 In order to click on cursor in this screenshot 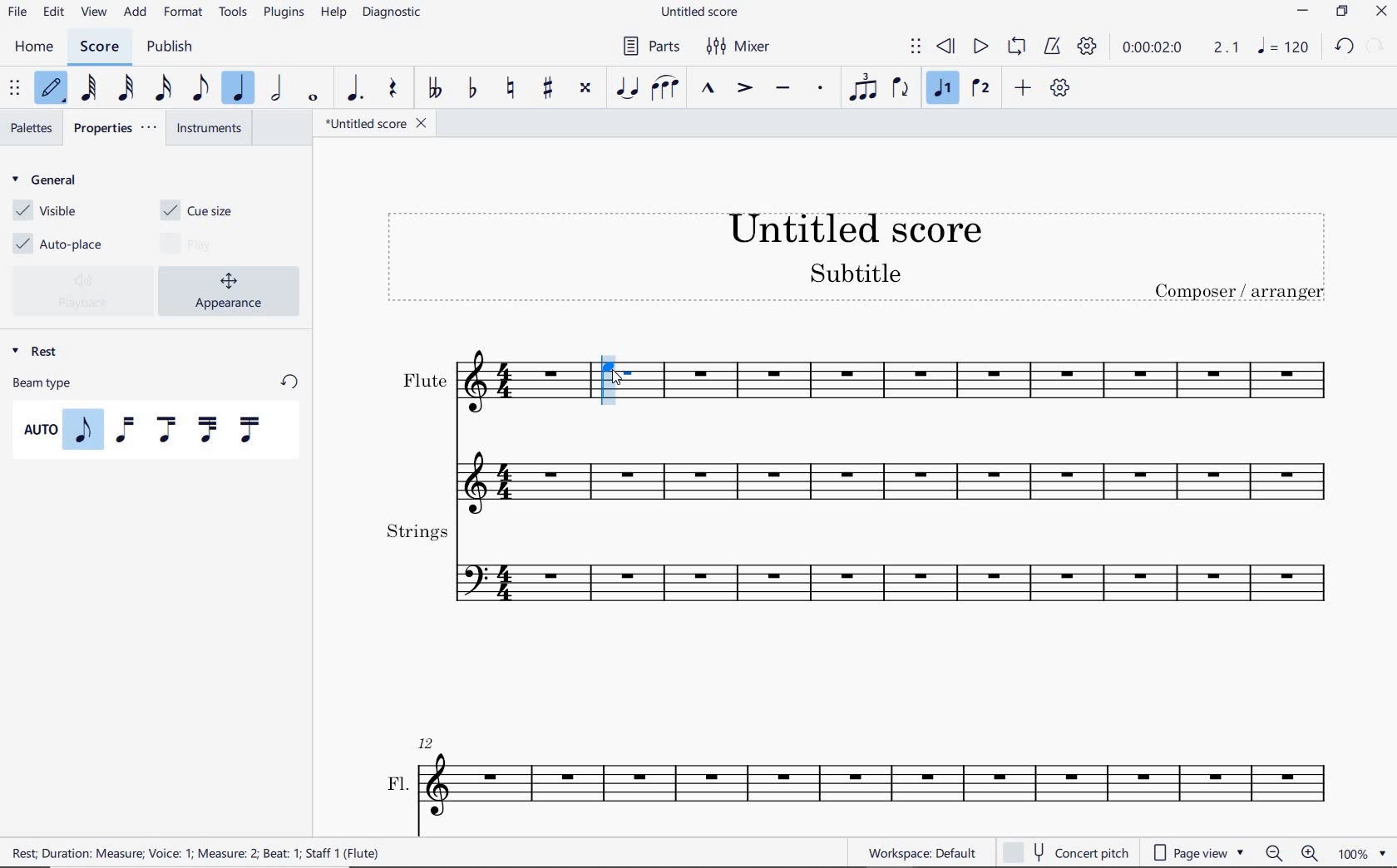, I will do `click(624, 379)`.